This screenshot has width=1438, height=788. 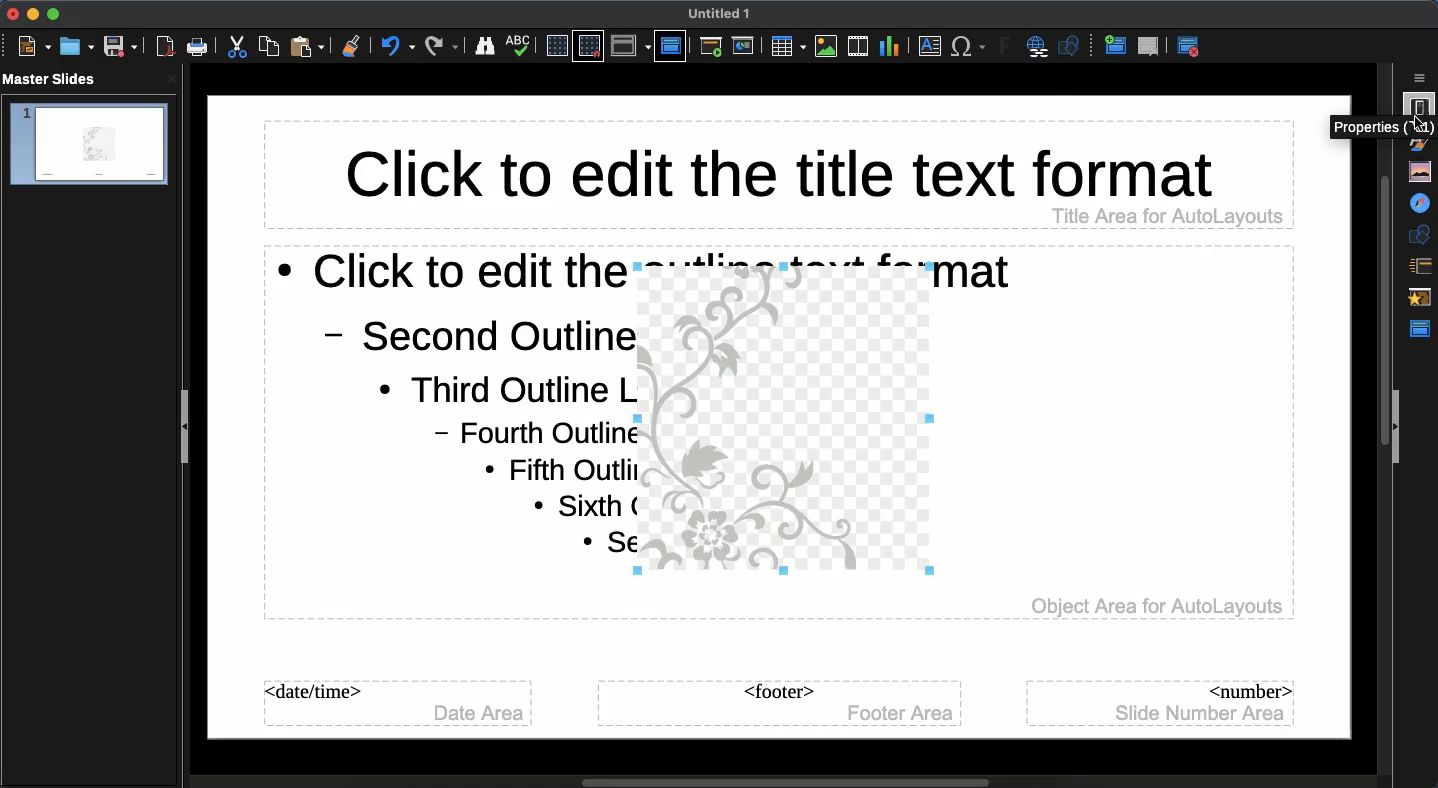 What do you see at coordinates (889, 45) in the screenshot?
I see `Chart` at bounding box center [889, 45].